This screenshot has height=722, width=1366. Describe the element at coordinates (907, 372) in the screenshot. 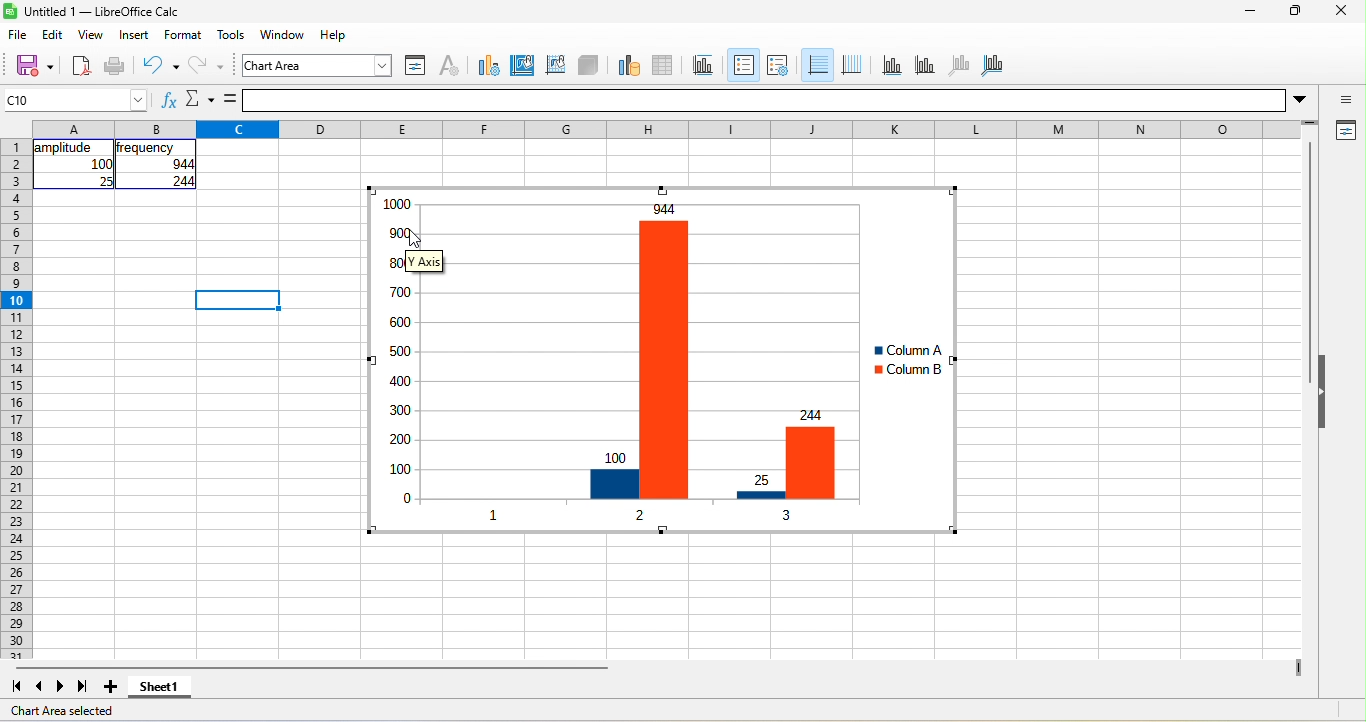

I see `column b` at that location.